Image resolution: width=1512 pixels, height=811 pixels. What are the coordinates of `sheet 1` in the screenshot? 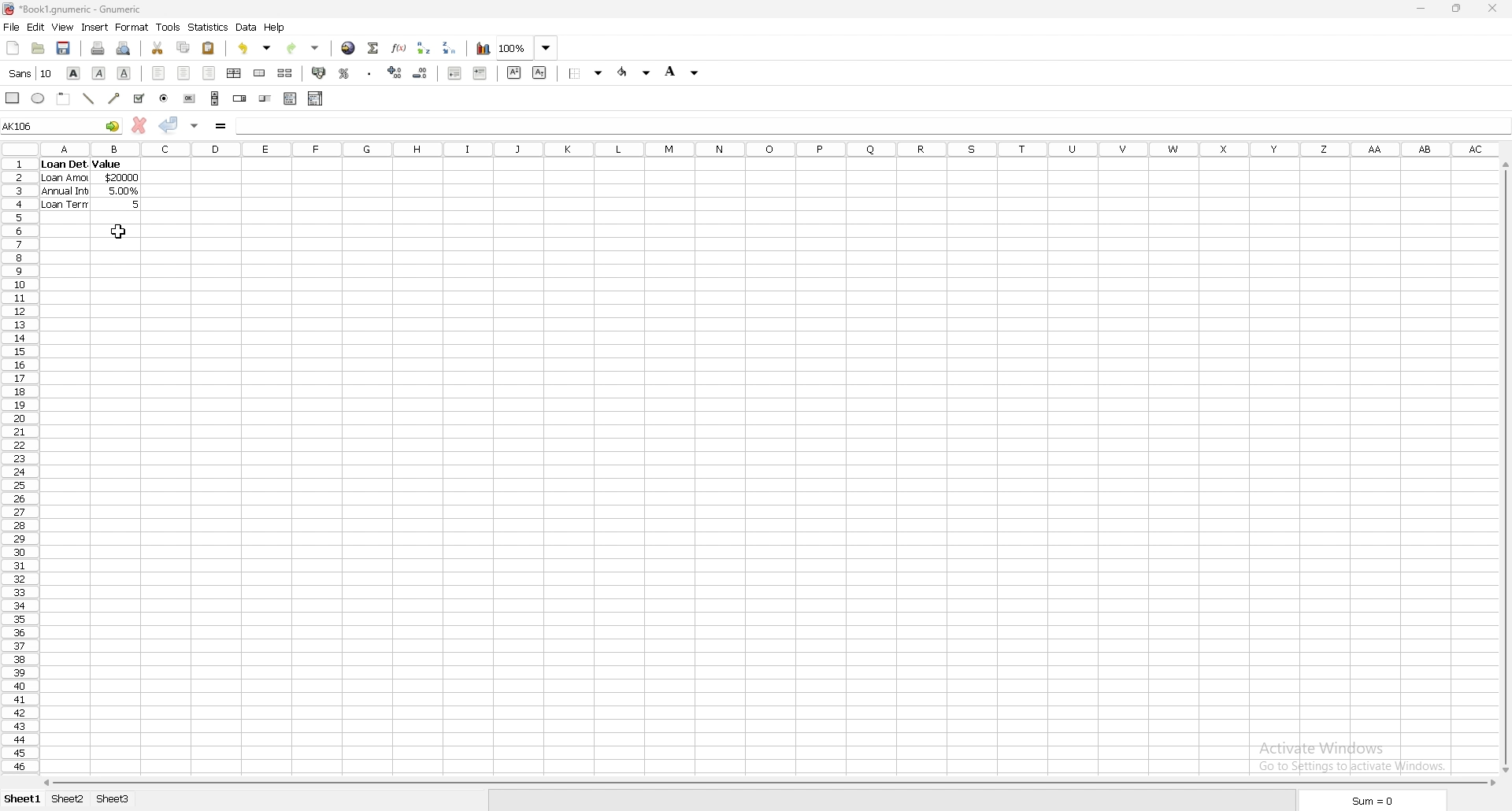 It's located at (24, 799).